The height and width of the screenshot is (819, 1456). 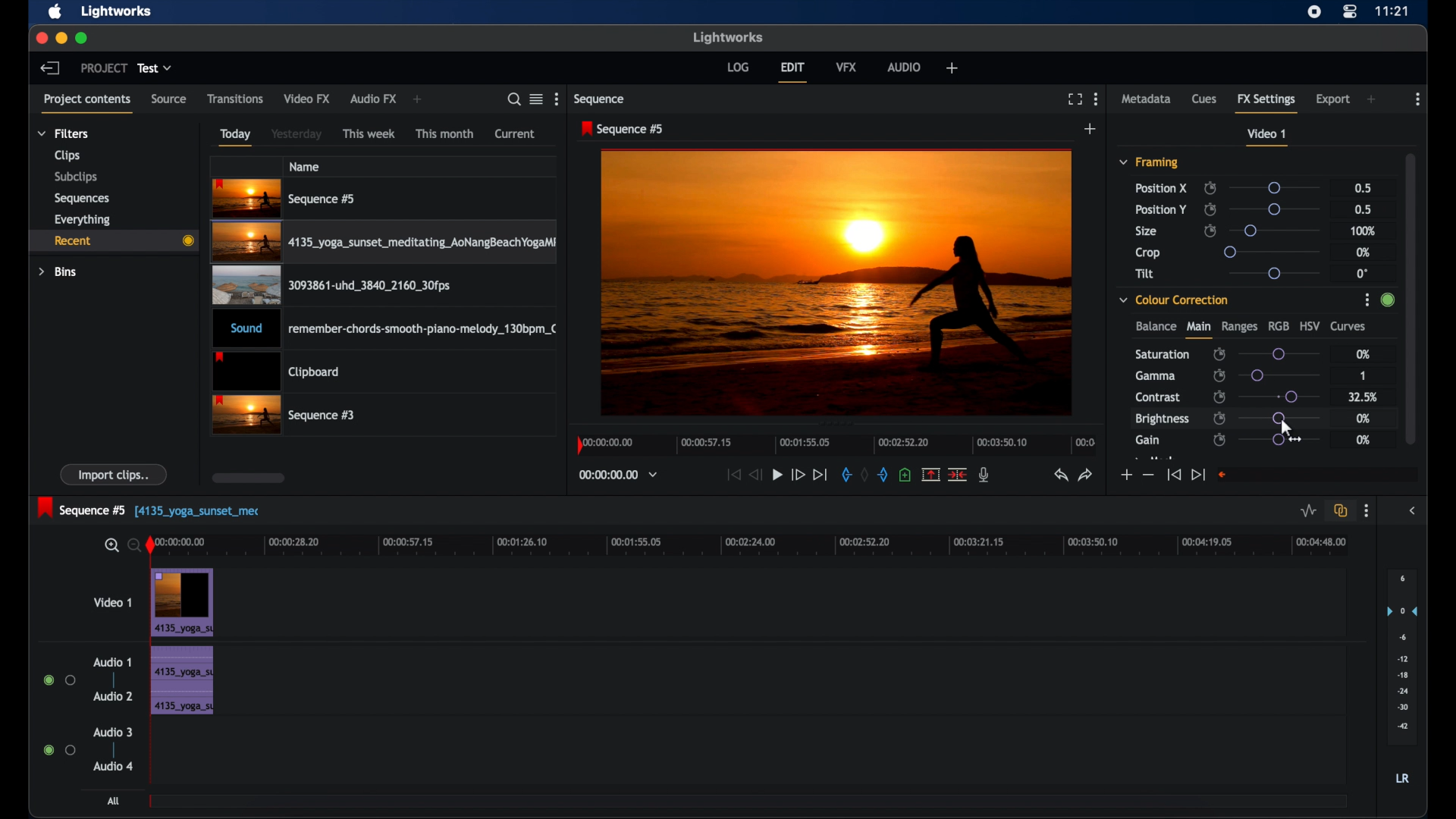 What do you see at coordinates (1198, 330) in the screenshot?
I see `main` at bounding box center [1198, 330].